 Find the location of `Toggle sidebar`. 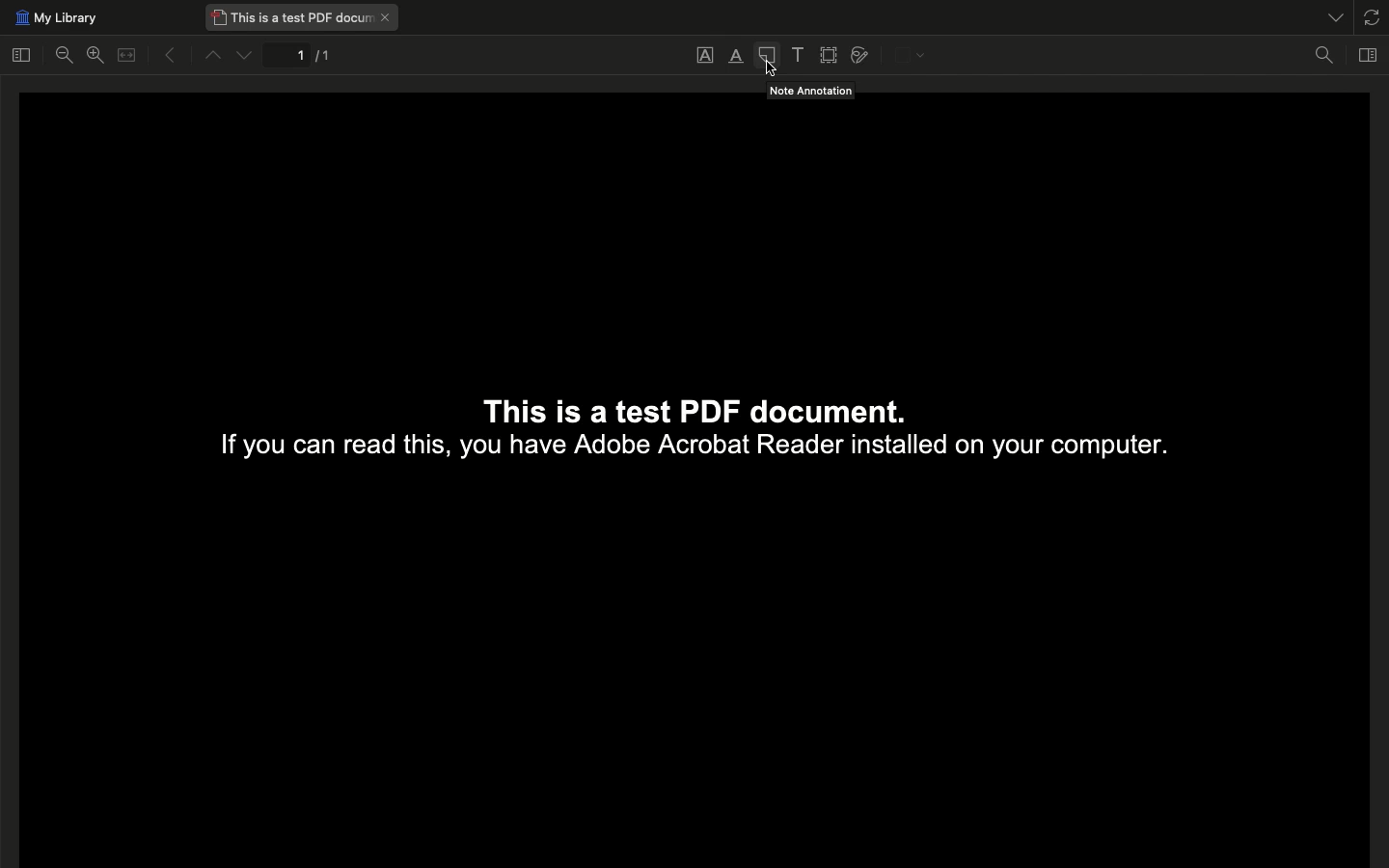

Toggle sidebar is located at coordinates (21, 54).